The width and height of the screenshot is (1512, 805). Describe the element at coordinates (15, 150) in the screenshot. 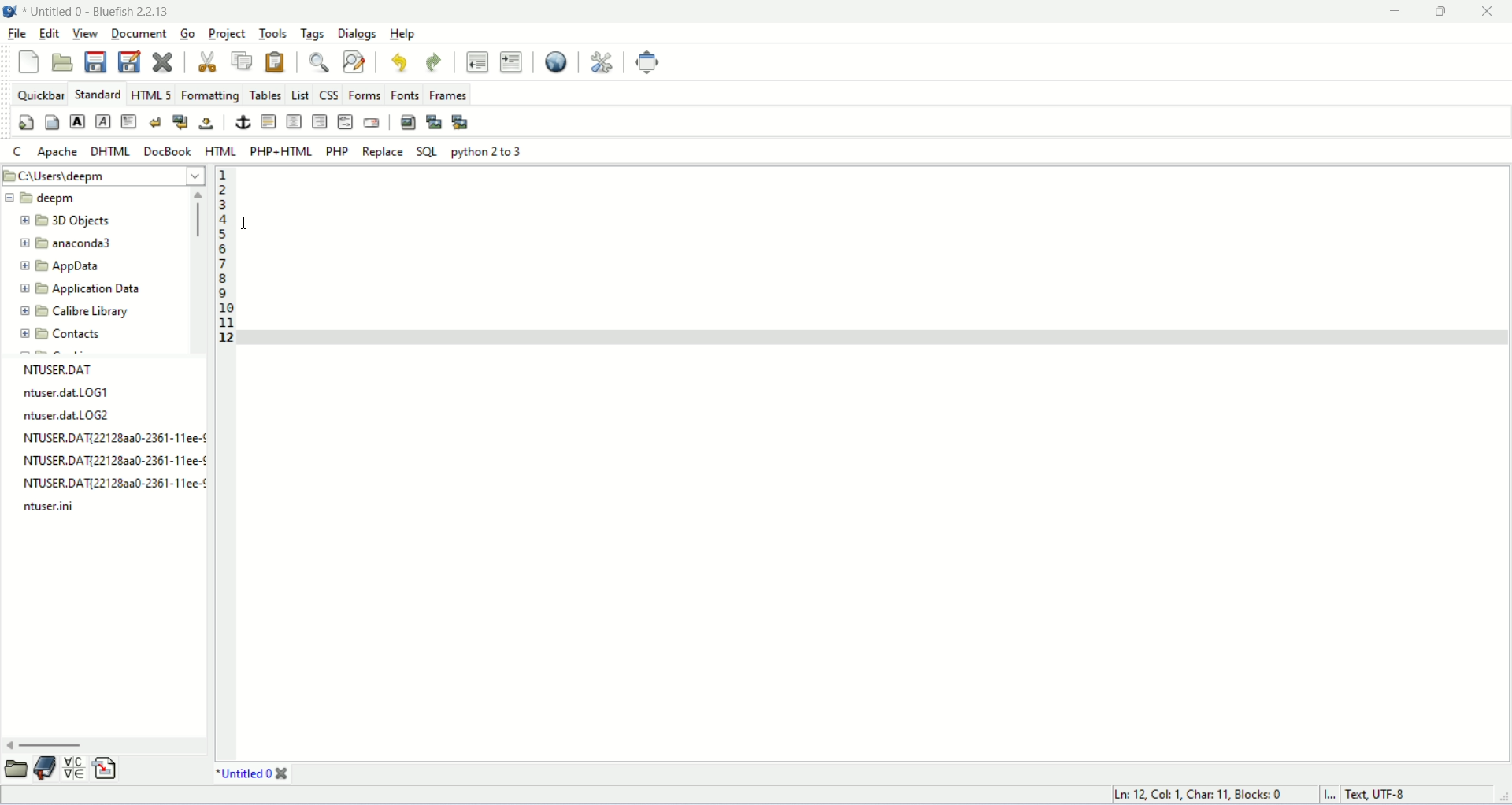

I see `c` at that location.